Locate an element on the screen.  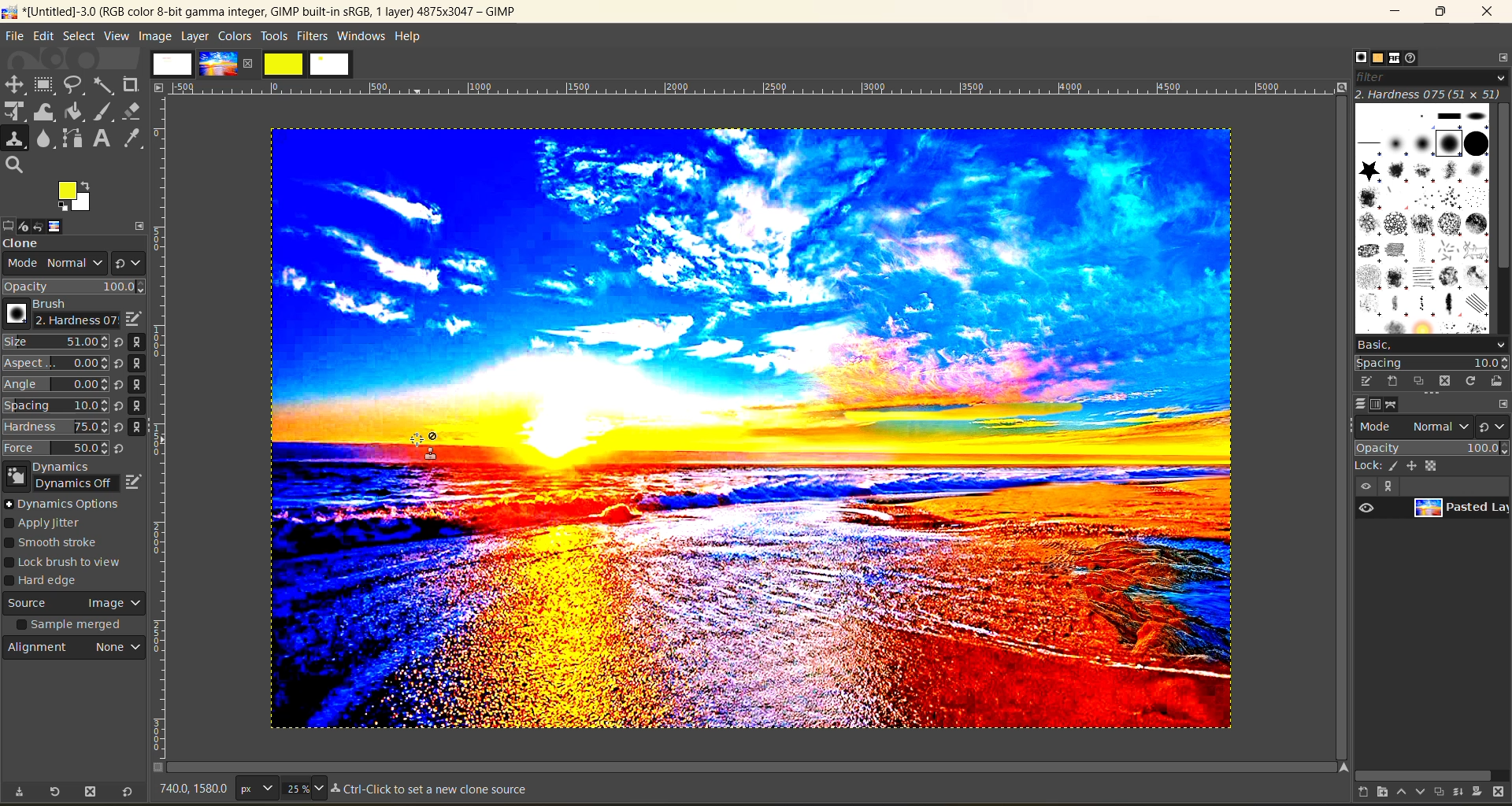
Size 51.00 is located at coordinates (54, 343).